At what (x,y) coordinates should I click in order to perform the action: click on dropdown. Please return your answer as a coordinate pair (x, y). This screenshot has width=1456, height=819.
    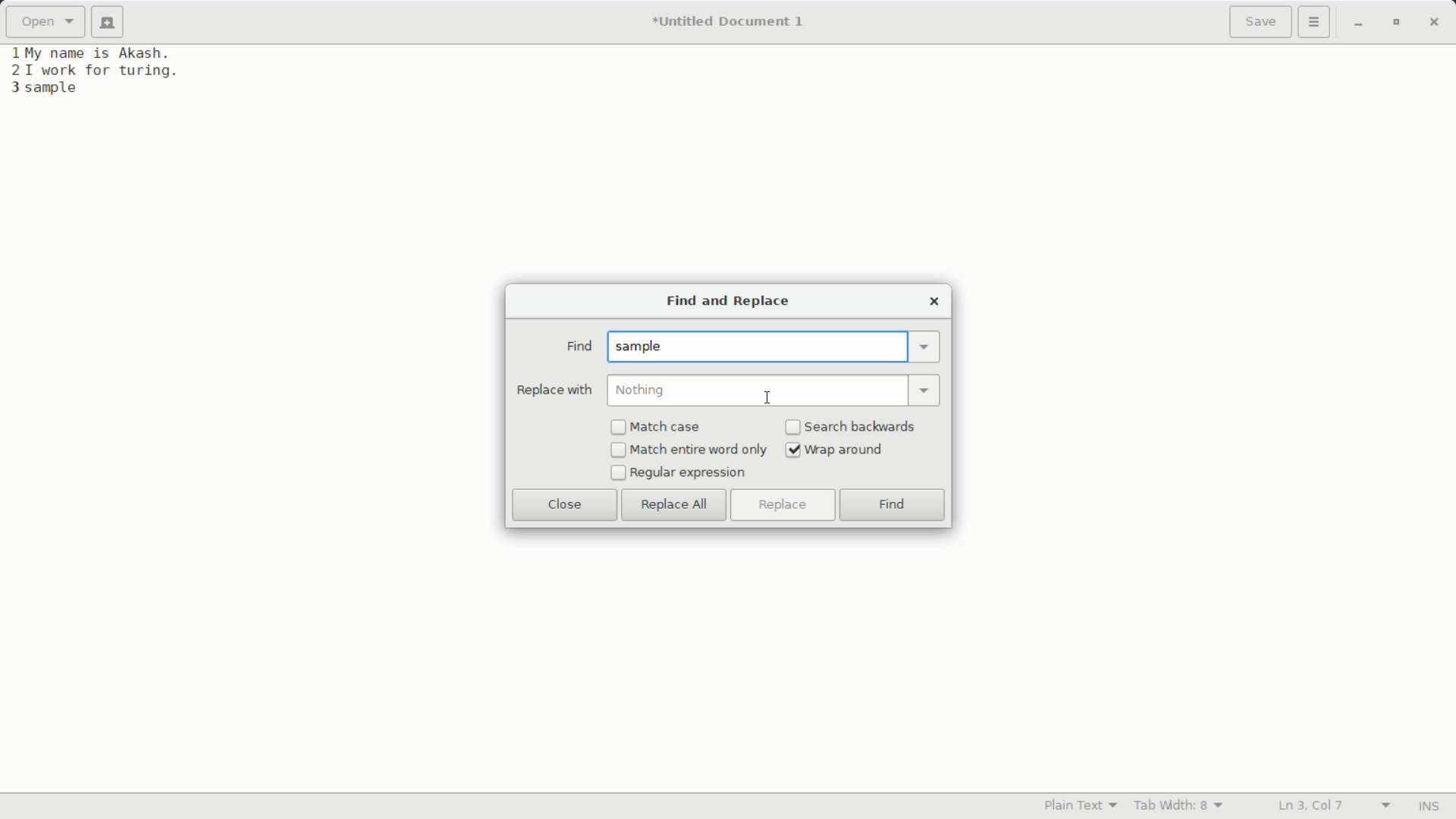
    Looking at the image, I should click on (927, 389).